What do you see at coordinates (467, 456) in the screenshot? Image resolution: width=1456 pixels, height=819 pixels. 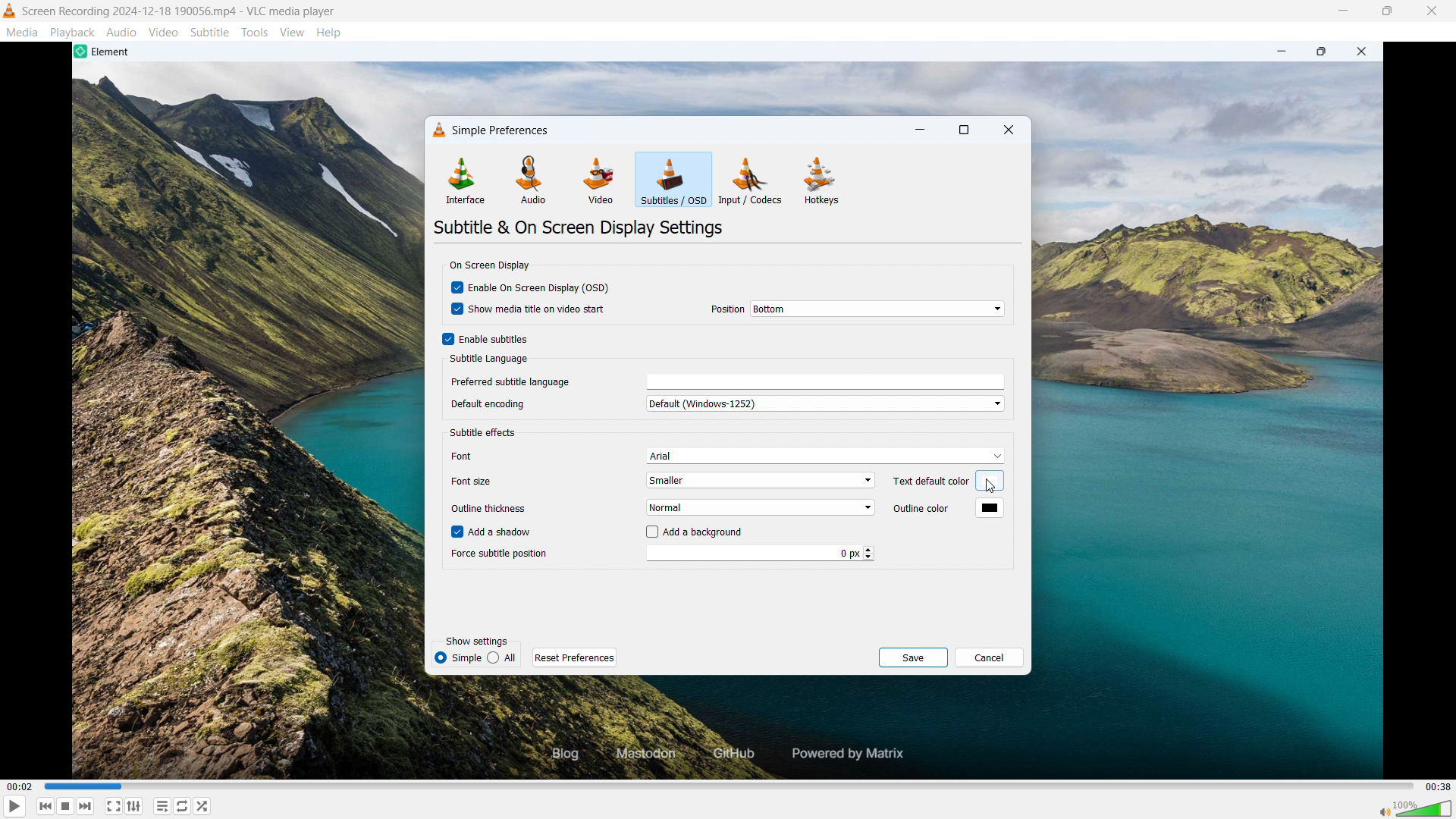 I see `font` at bounding box center [467, 456].